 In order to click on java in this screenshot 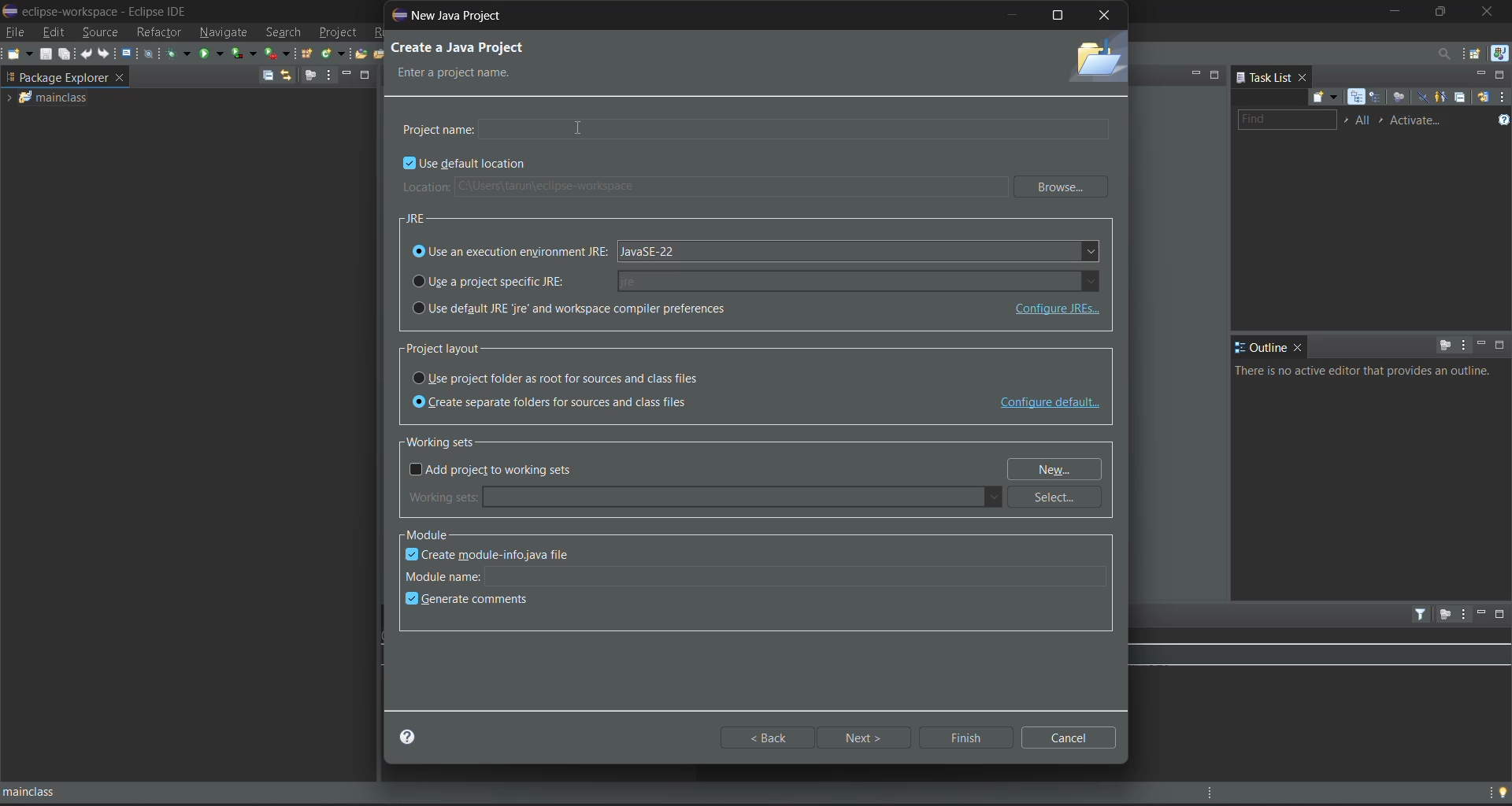, I will do `click(1499, 54)`.